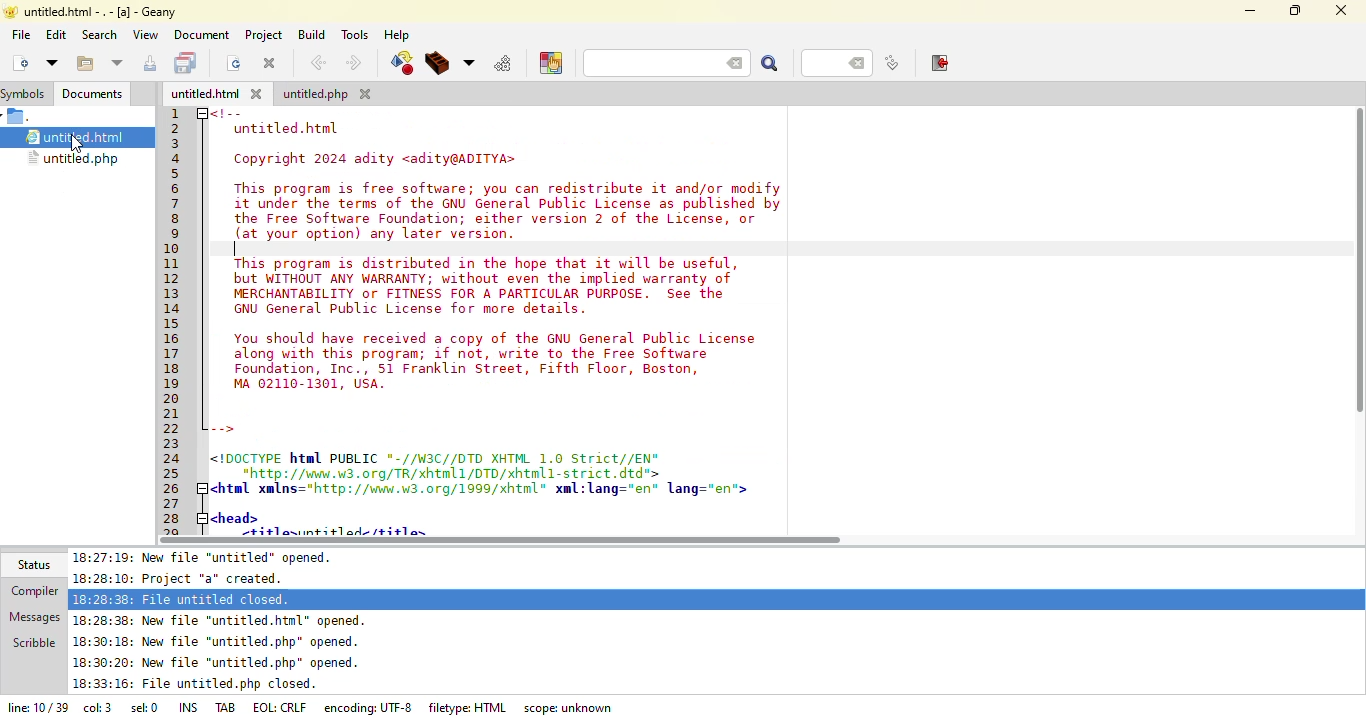  I want to click on tab, so click(220, 705).